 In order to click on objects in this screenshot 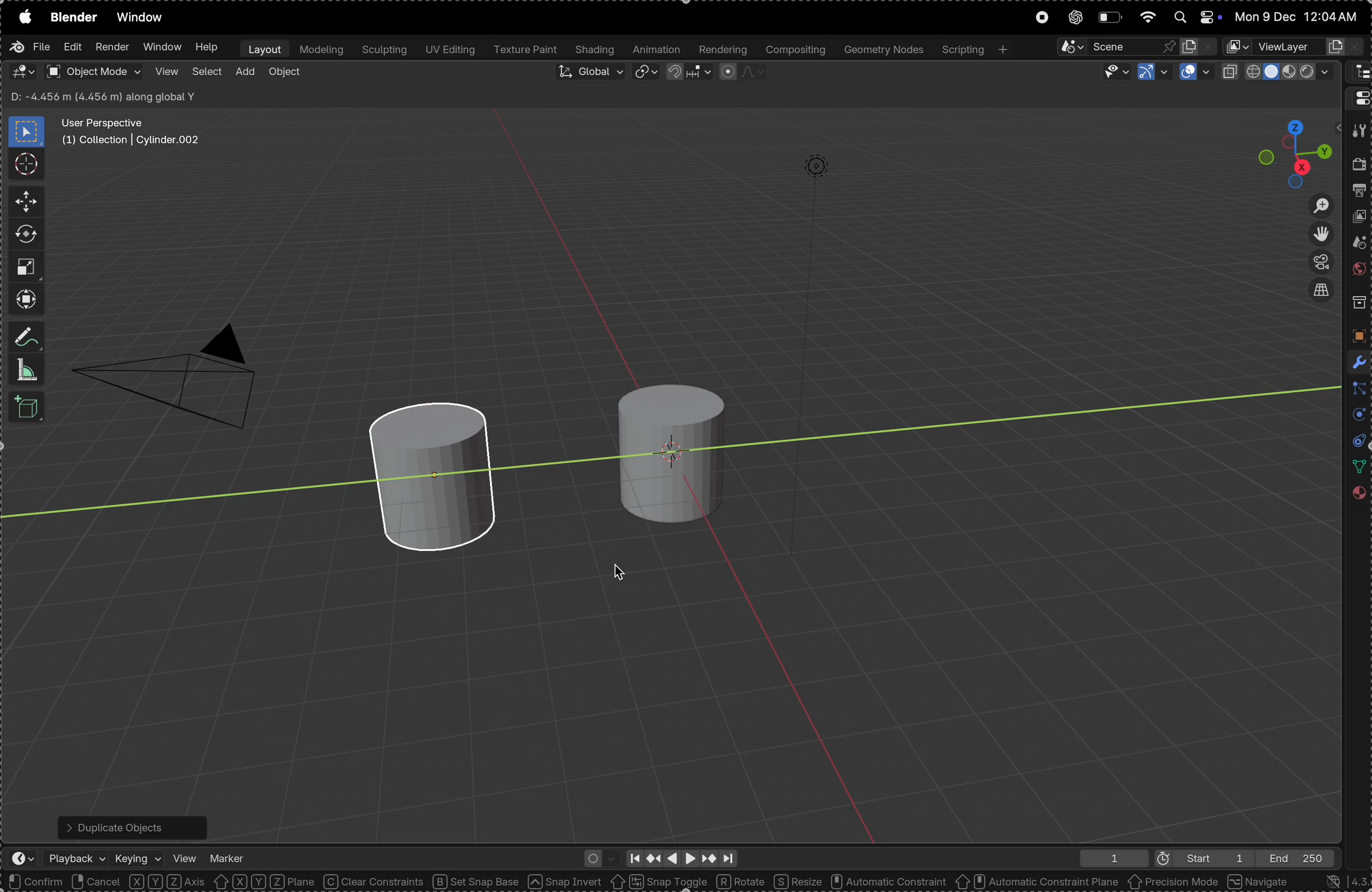, I will do `click(1356, 335)`.